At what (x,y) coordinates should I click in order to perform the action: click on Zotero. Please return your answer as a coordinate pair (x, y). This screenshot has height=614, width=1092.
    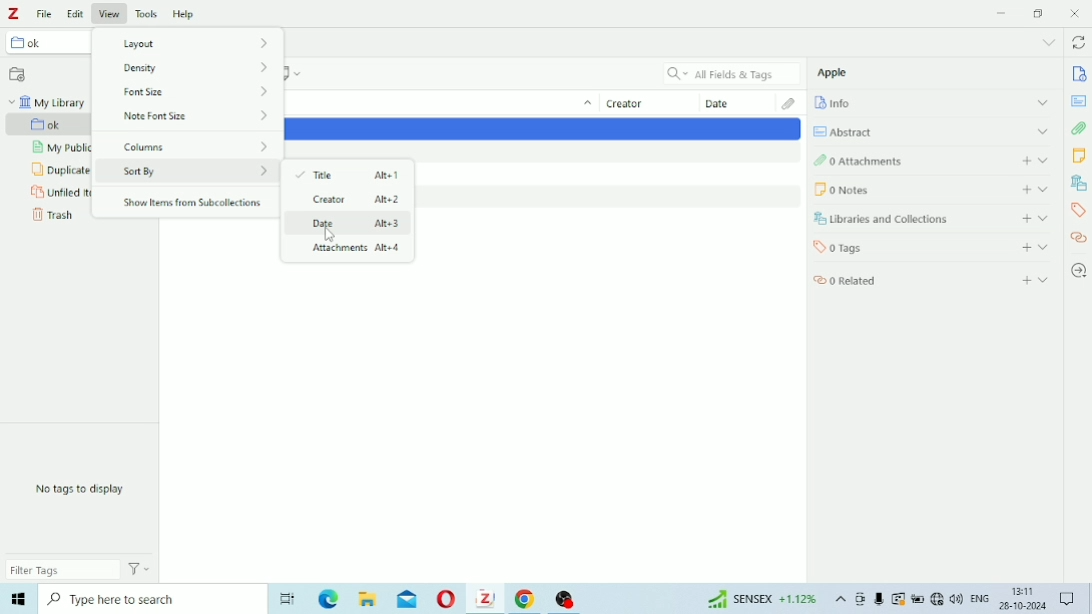
    Looking at the image, I should click on (485, 600).